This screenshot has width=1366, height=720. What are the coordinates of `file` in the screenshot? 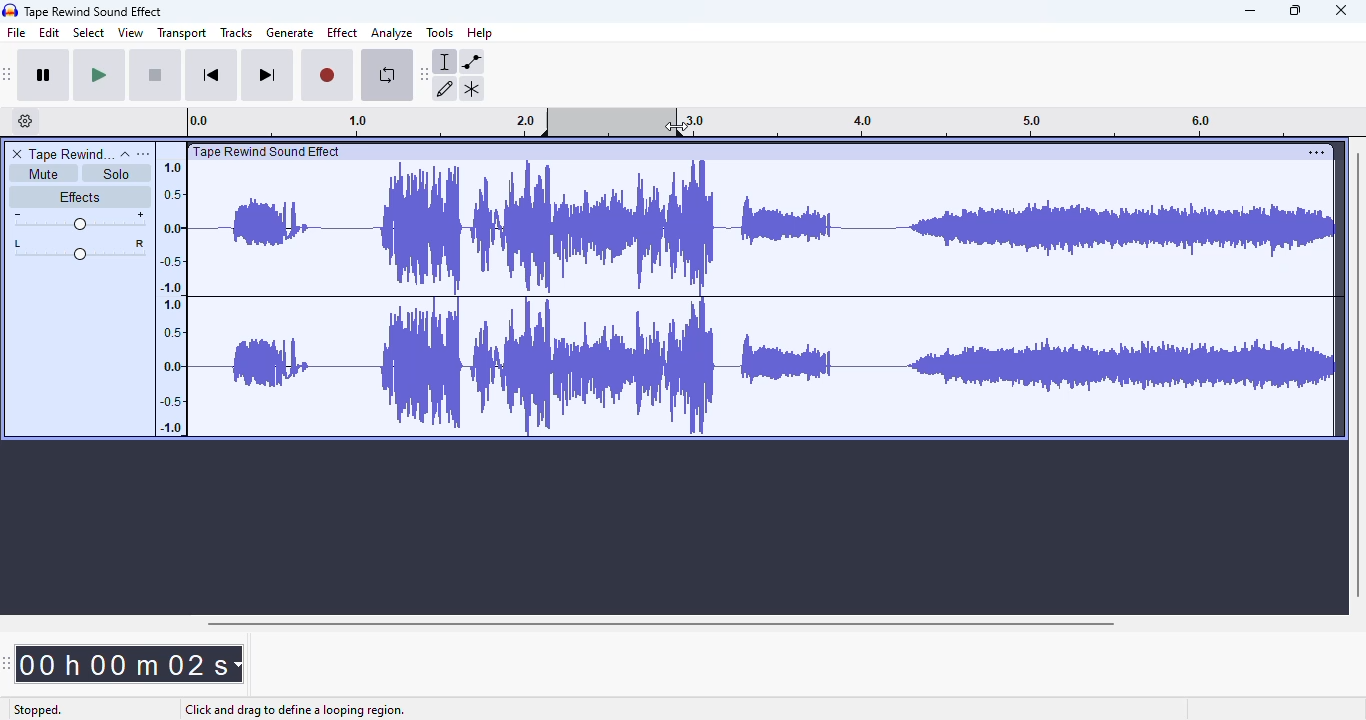 It's located at (16, 32).